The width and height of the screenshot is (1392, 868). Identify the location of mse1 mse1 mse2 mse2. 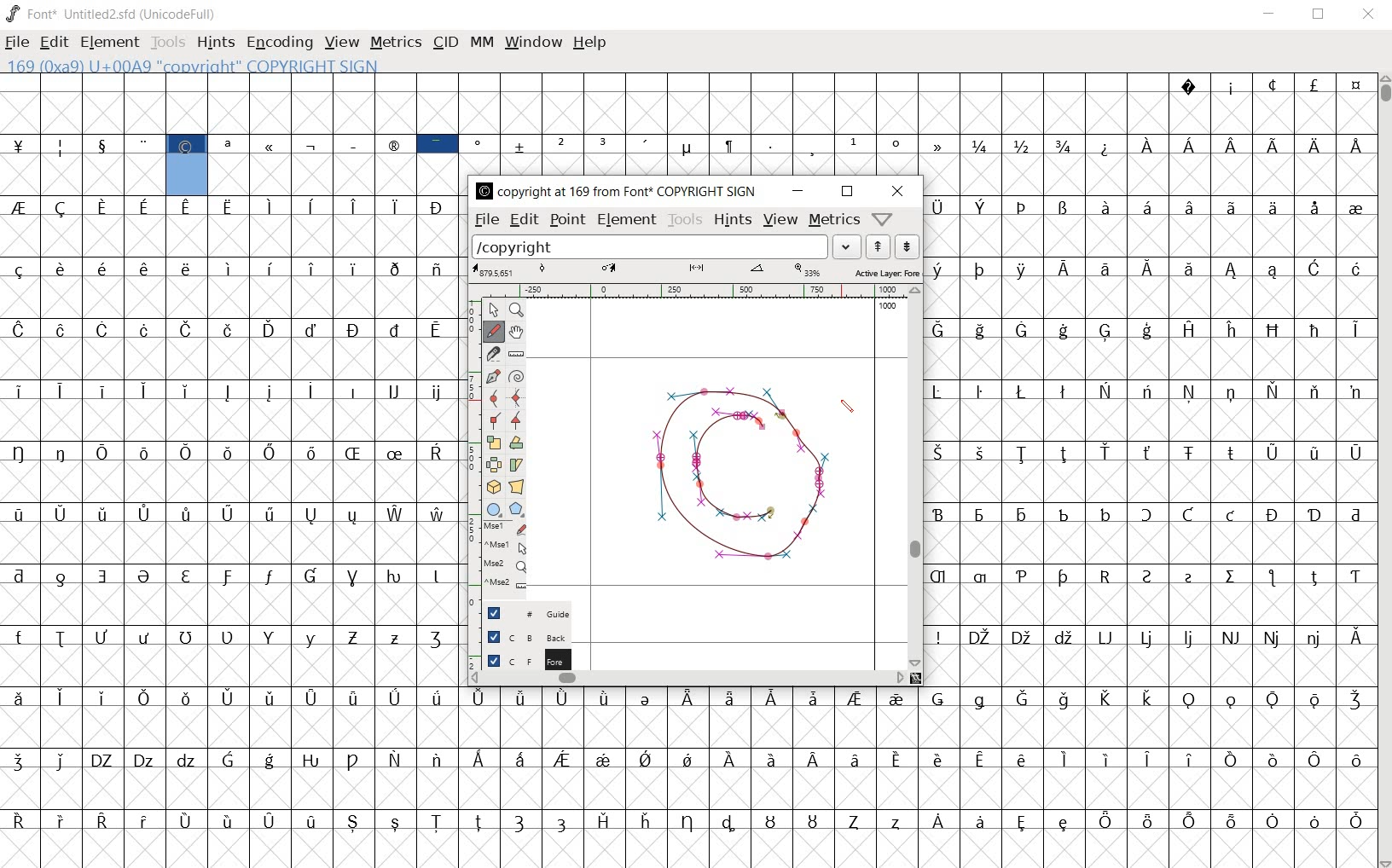
(502, 558).